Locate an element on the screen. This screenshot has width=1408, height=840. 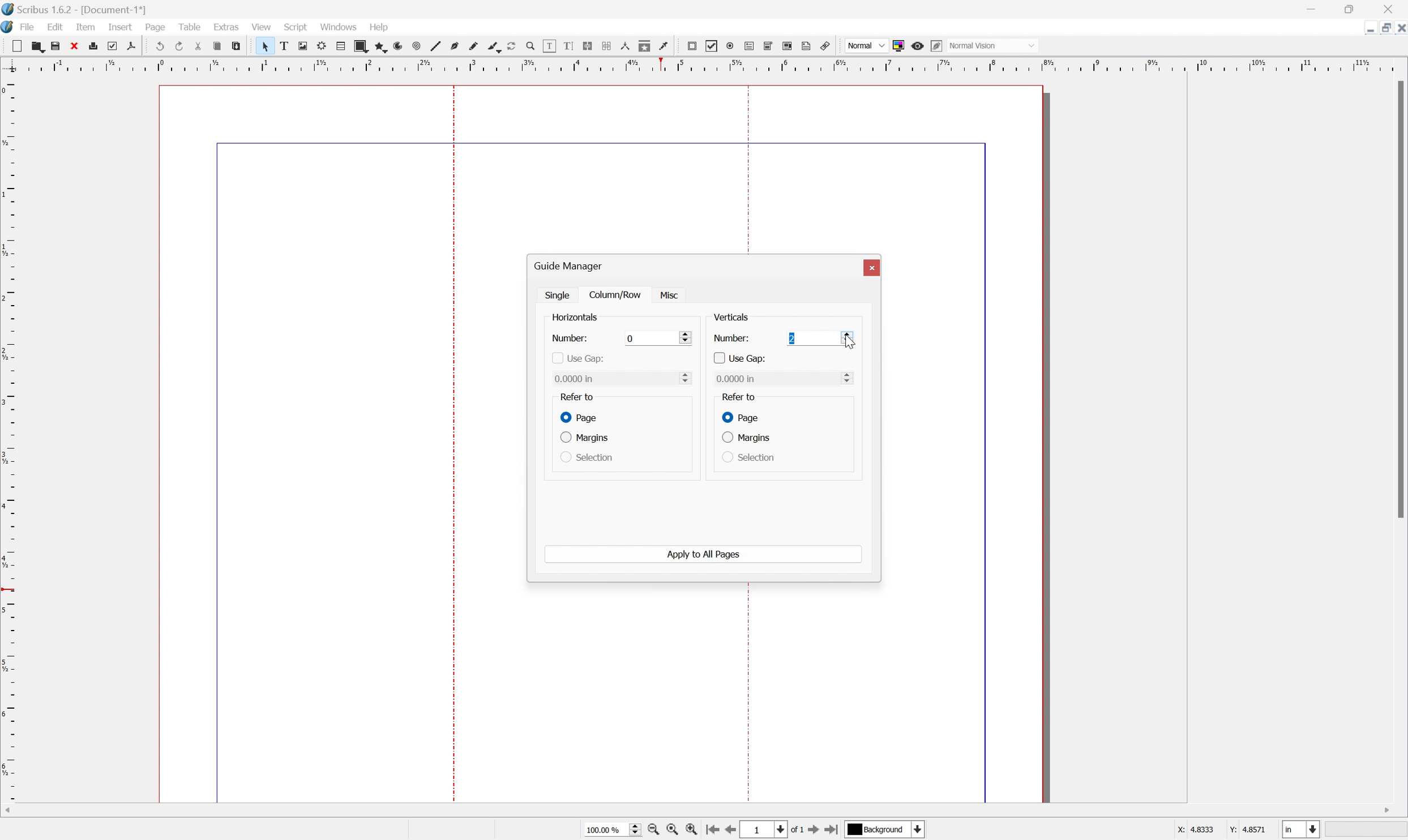
preview mode is located at coordinates (918, 46).